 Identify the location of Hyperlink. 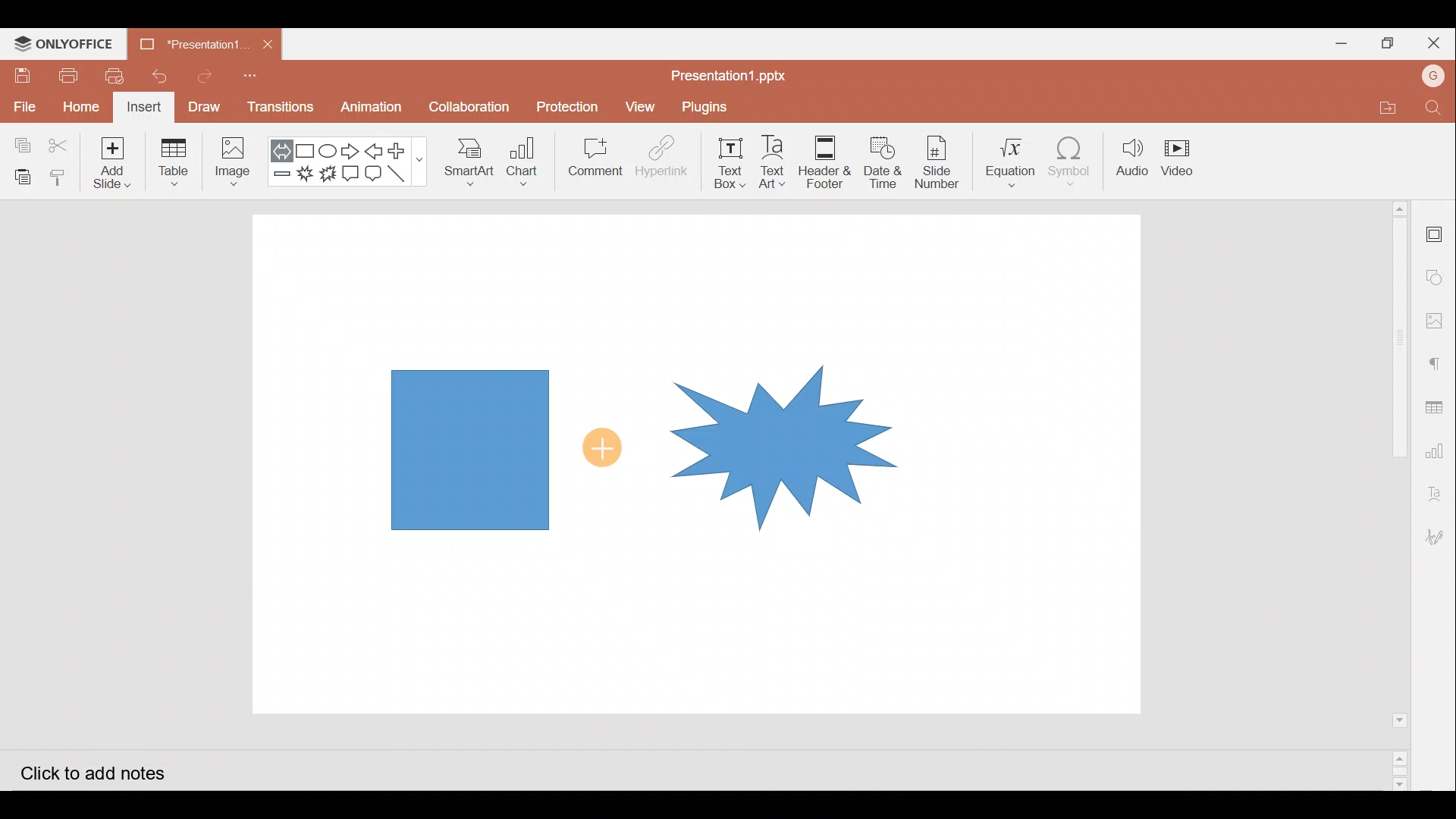
(666, 159).